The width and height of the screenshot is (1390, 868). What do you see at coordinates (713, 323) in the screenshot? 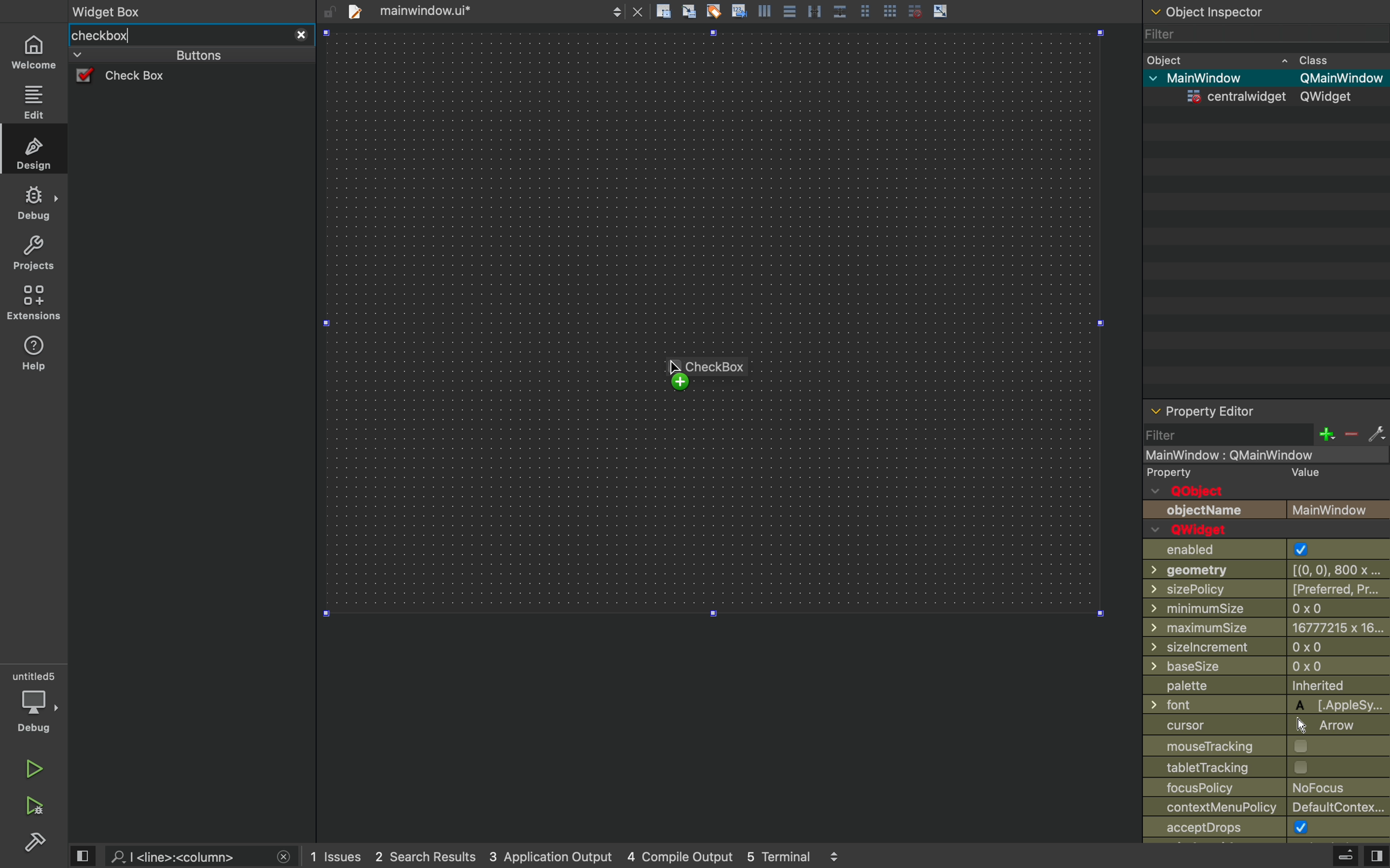
I see `design area` at bounding box center [713, 323].